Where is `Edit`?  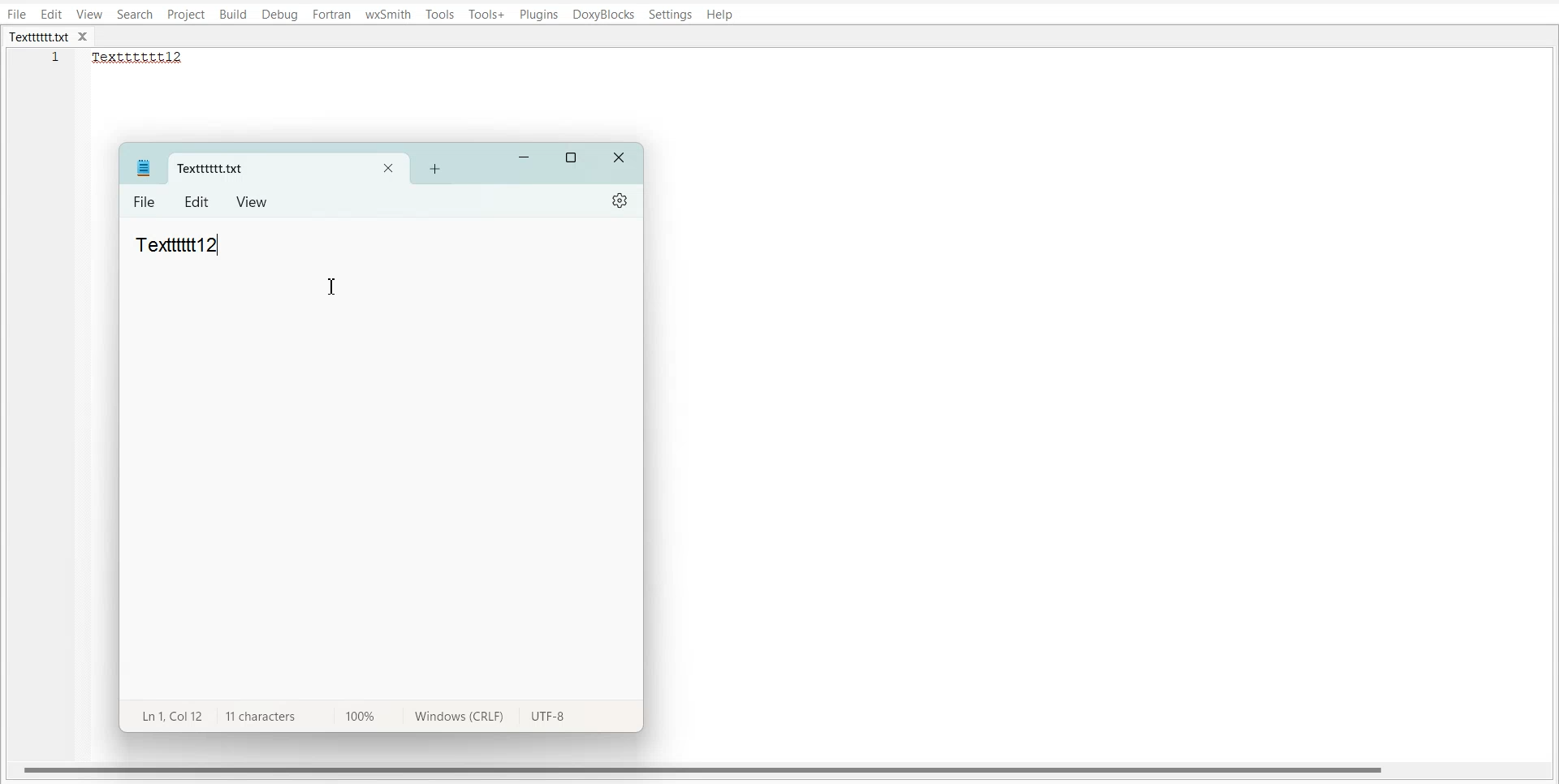
Edit is located at coordinates (198, 202).